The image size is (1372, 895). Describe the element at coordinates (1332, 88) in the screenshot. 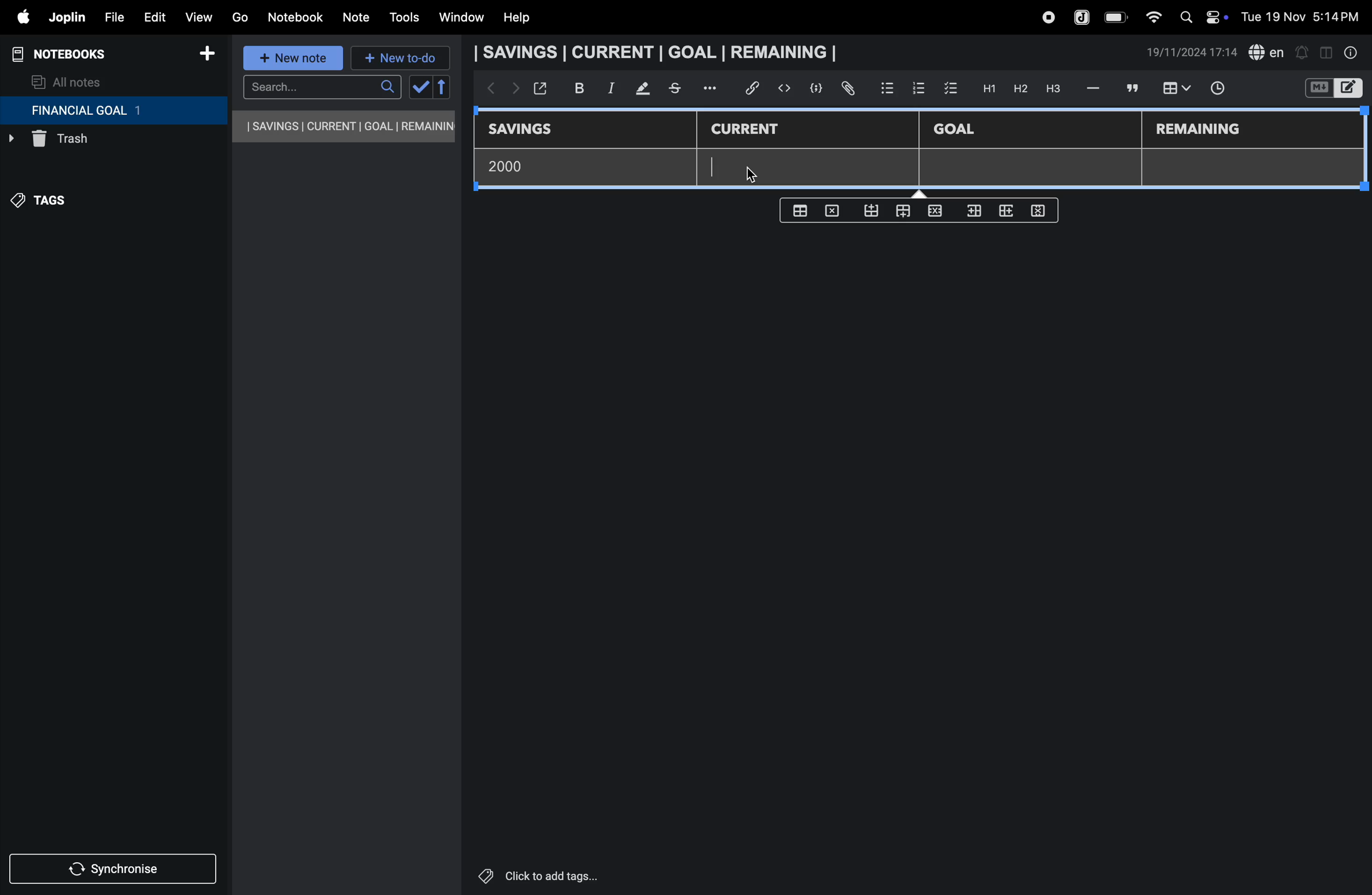

I see `switch editor` at that location.